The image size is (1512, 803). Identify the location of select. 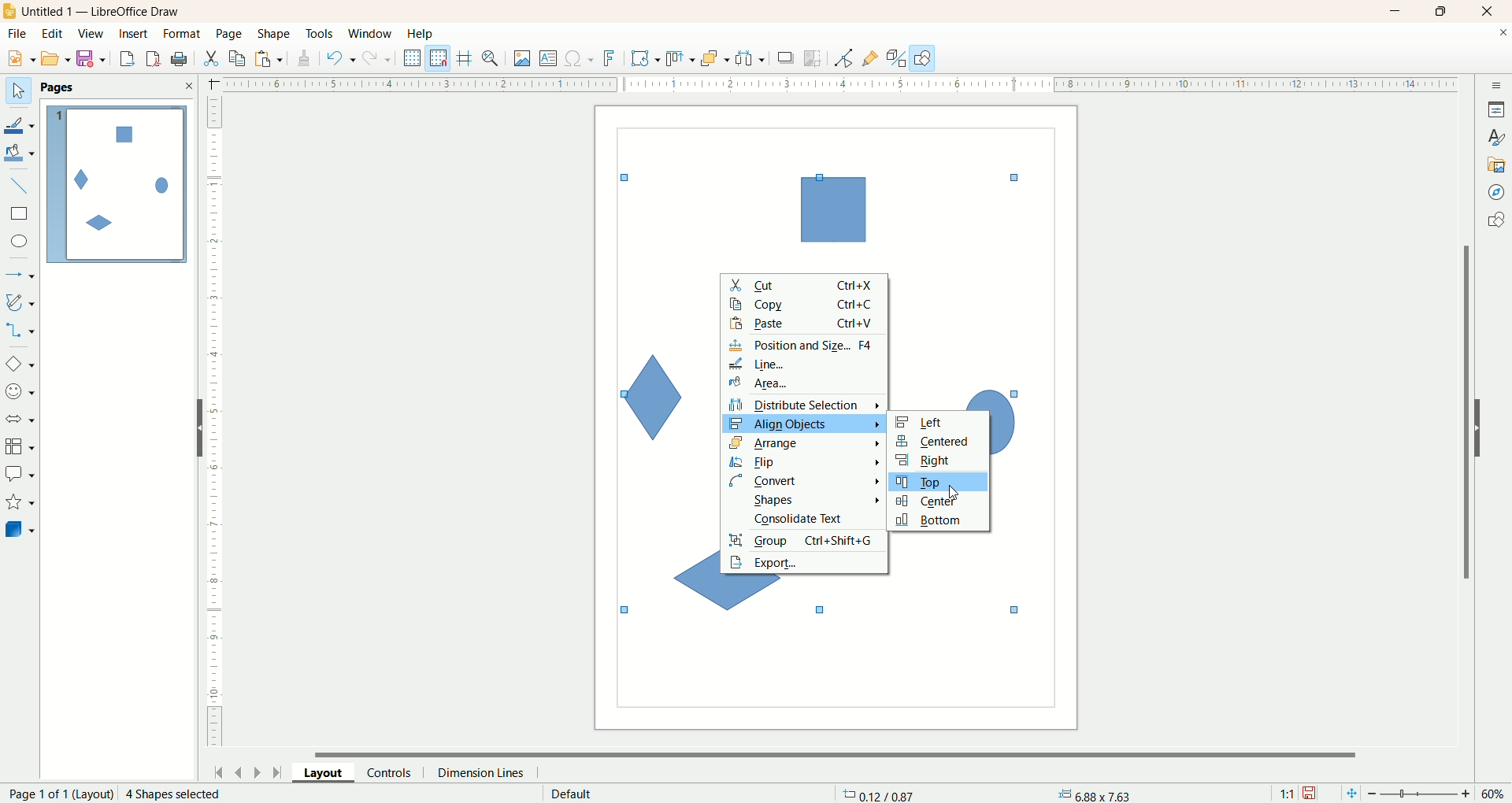
(18, 91).